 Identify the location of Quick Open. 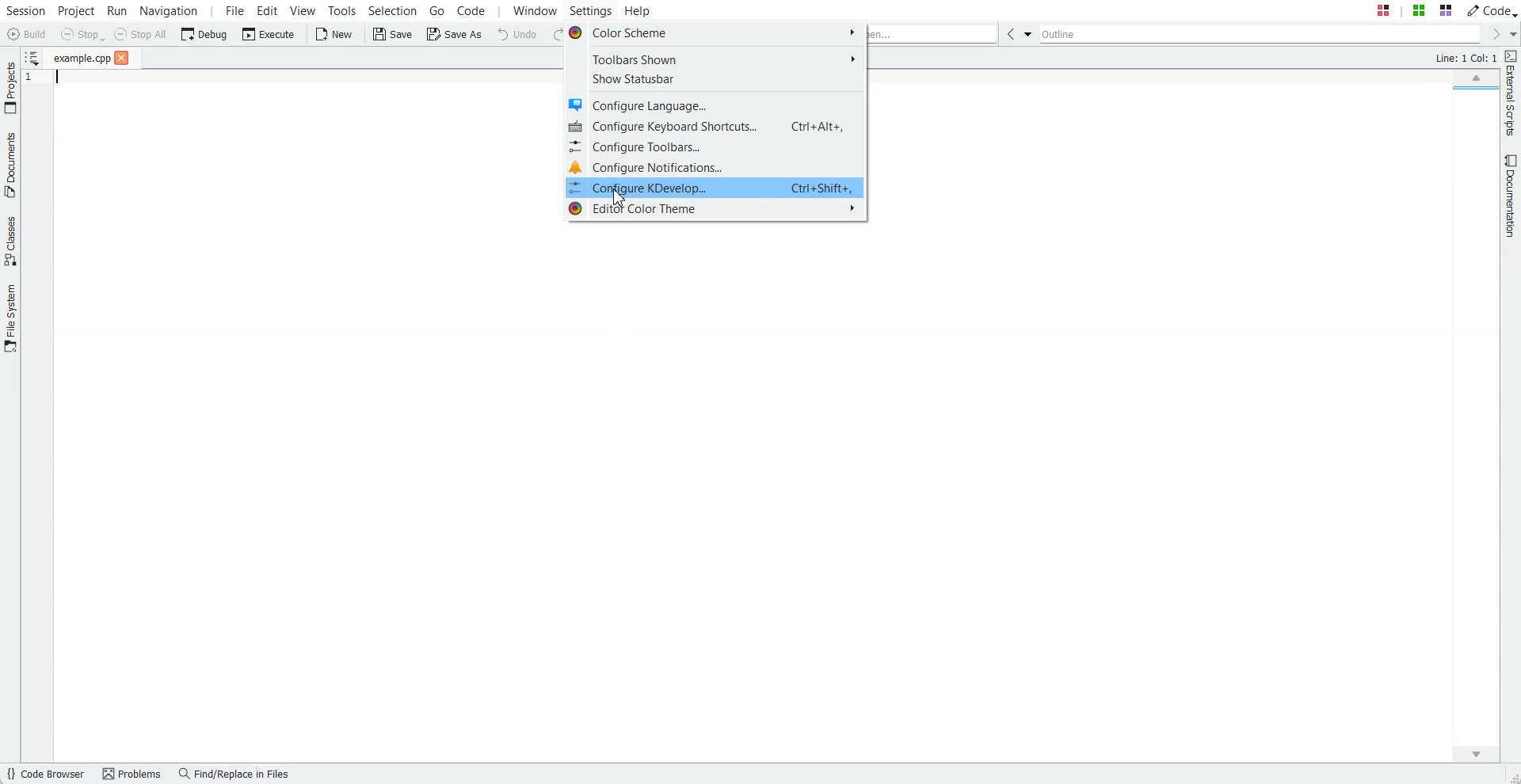
(934, 34).